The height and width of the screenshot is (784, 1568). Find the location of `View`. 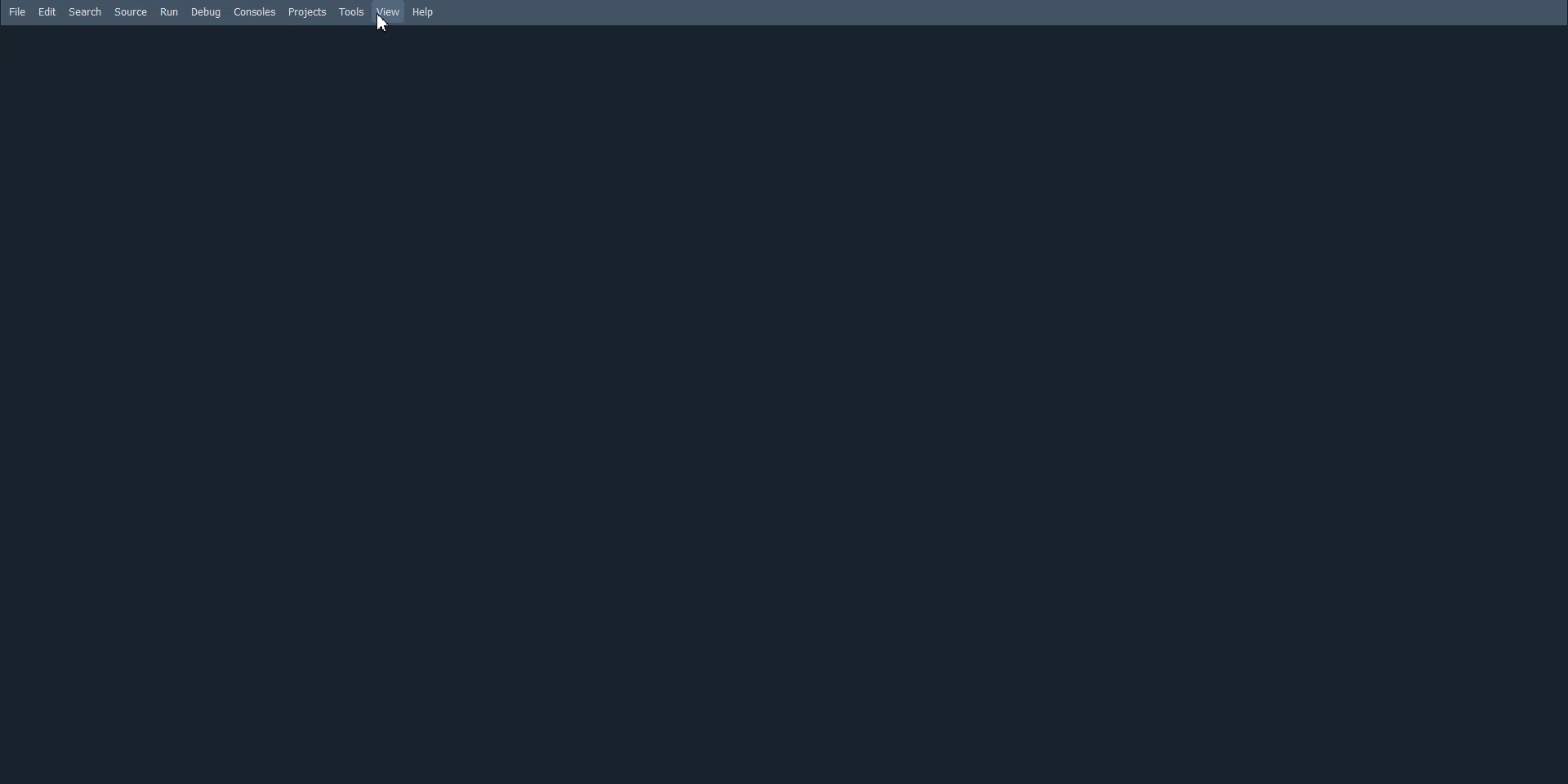

View is located at coordinates (387, 12).